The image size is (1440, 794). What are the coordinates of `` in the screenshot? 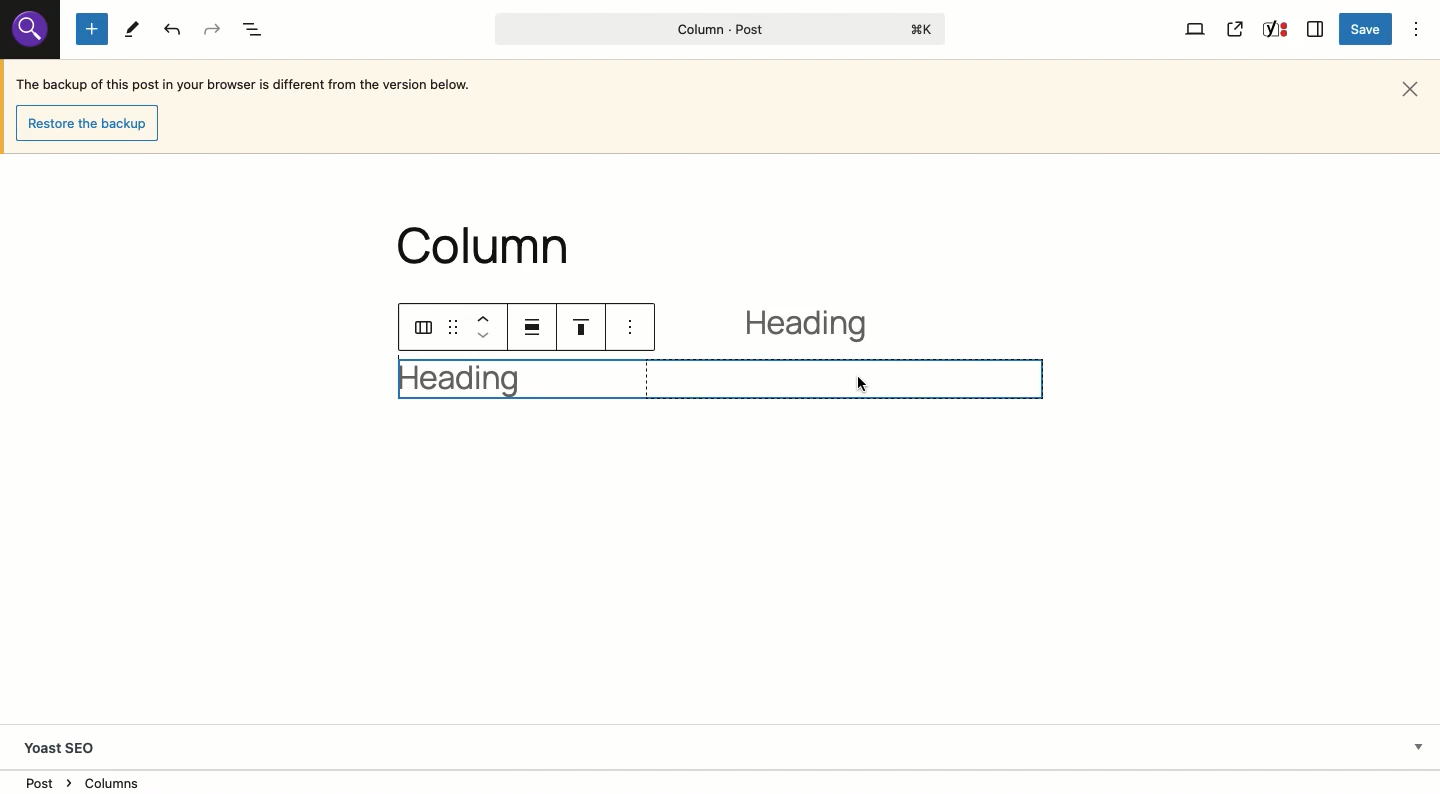 It's located at (27, 30).